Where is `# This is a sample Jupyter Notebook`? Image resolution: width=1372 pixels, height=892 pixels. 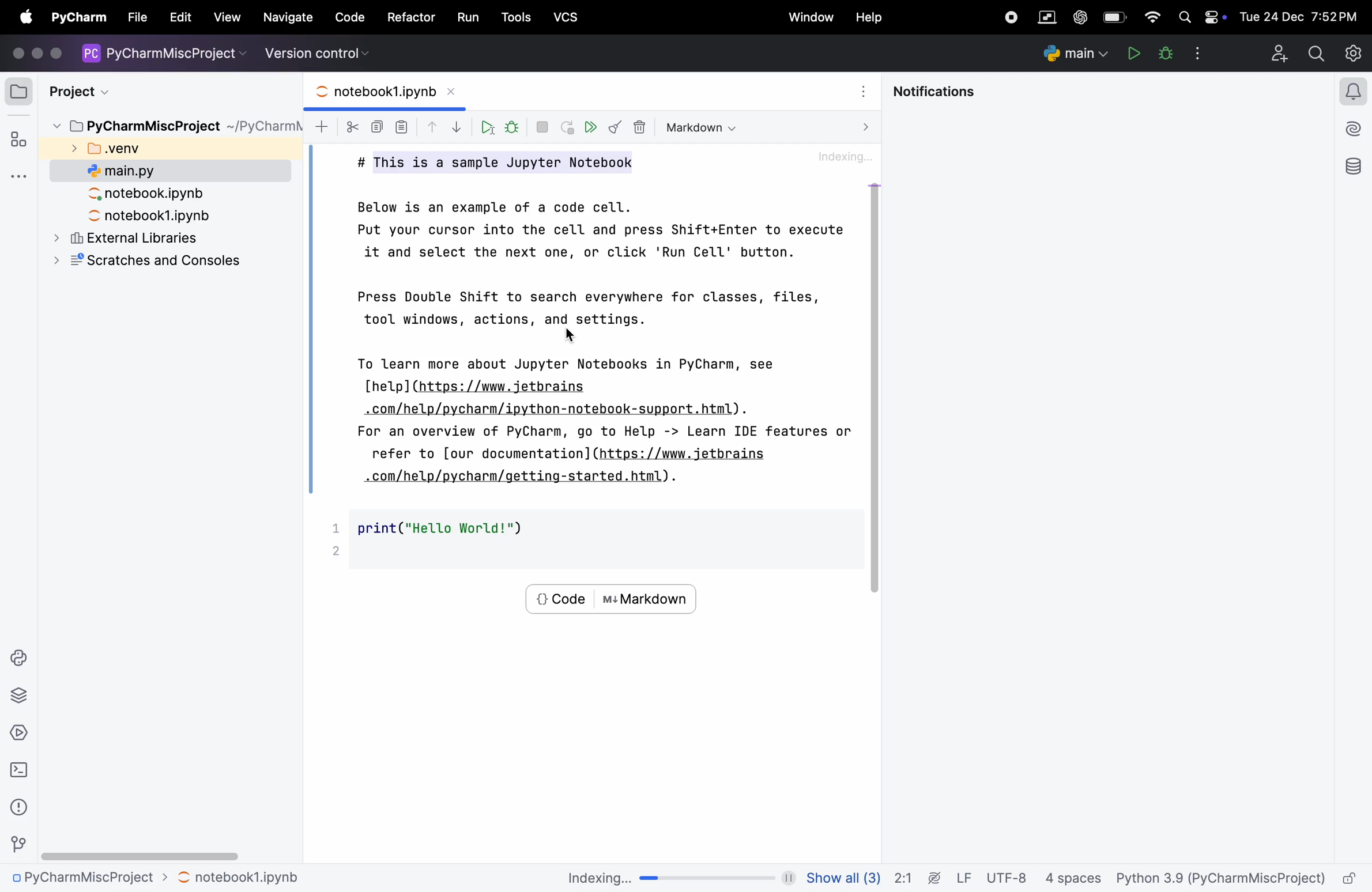 # This is a sample Jupyter Notebook is located at coordinates (506, 164).